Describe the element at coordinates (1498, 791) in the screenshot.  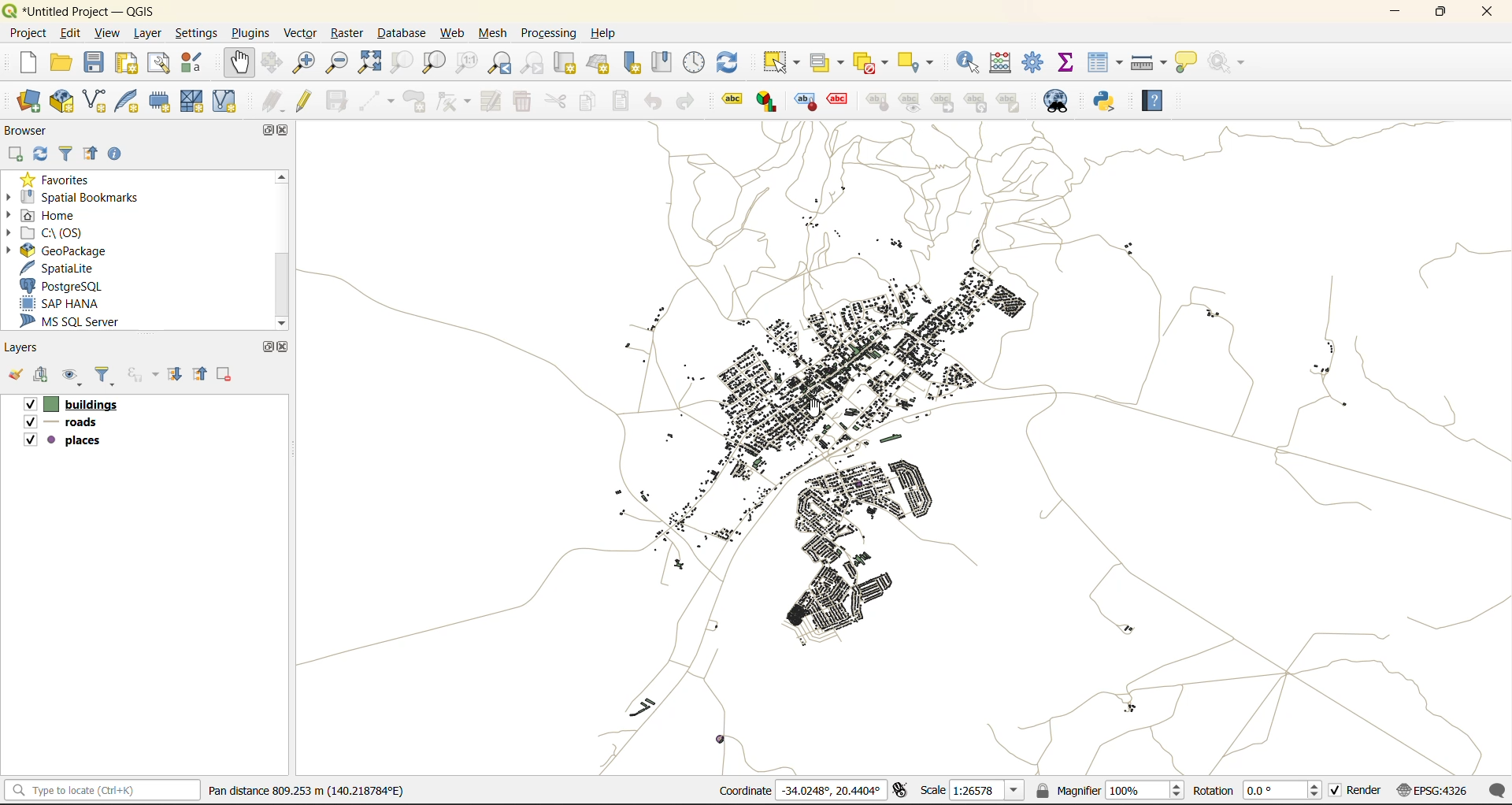
I see `log messages` at that location.